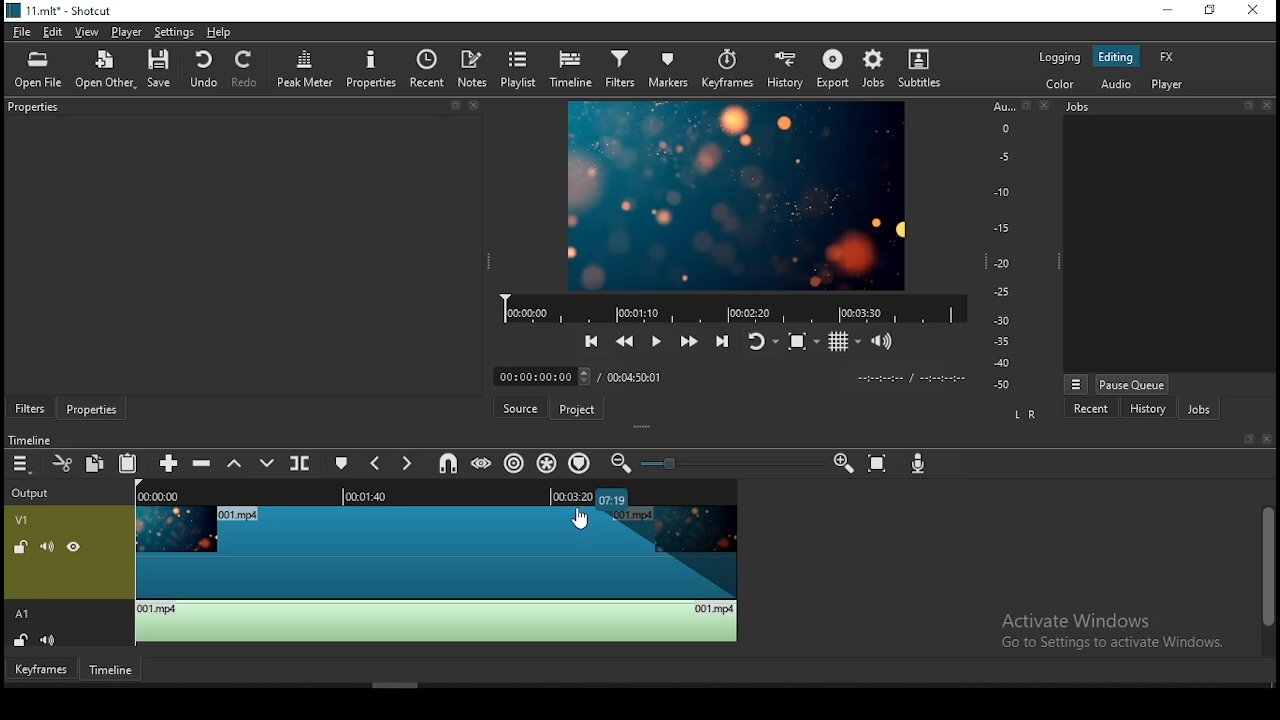  I want to click on overwrite, so click(267, 462).